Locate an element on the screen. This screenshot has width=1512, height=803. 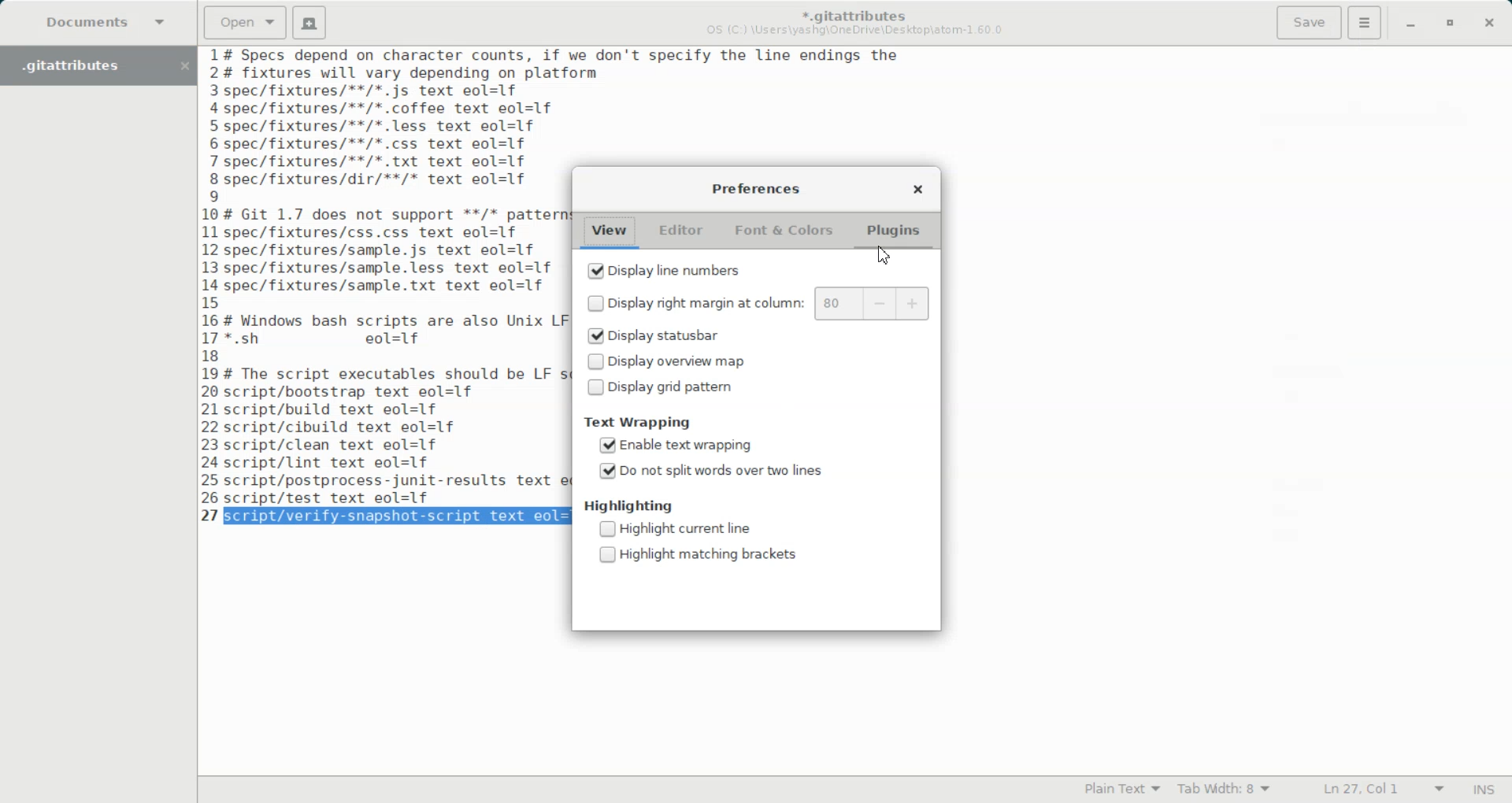
Text Wrapping is located at coordinates (638, 422).